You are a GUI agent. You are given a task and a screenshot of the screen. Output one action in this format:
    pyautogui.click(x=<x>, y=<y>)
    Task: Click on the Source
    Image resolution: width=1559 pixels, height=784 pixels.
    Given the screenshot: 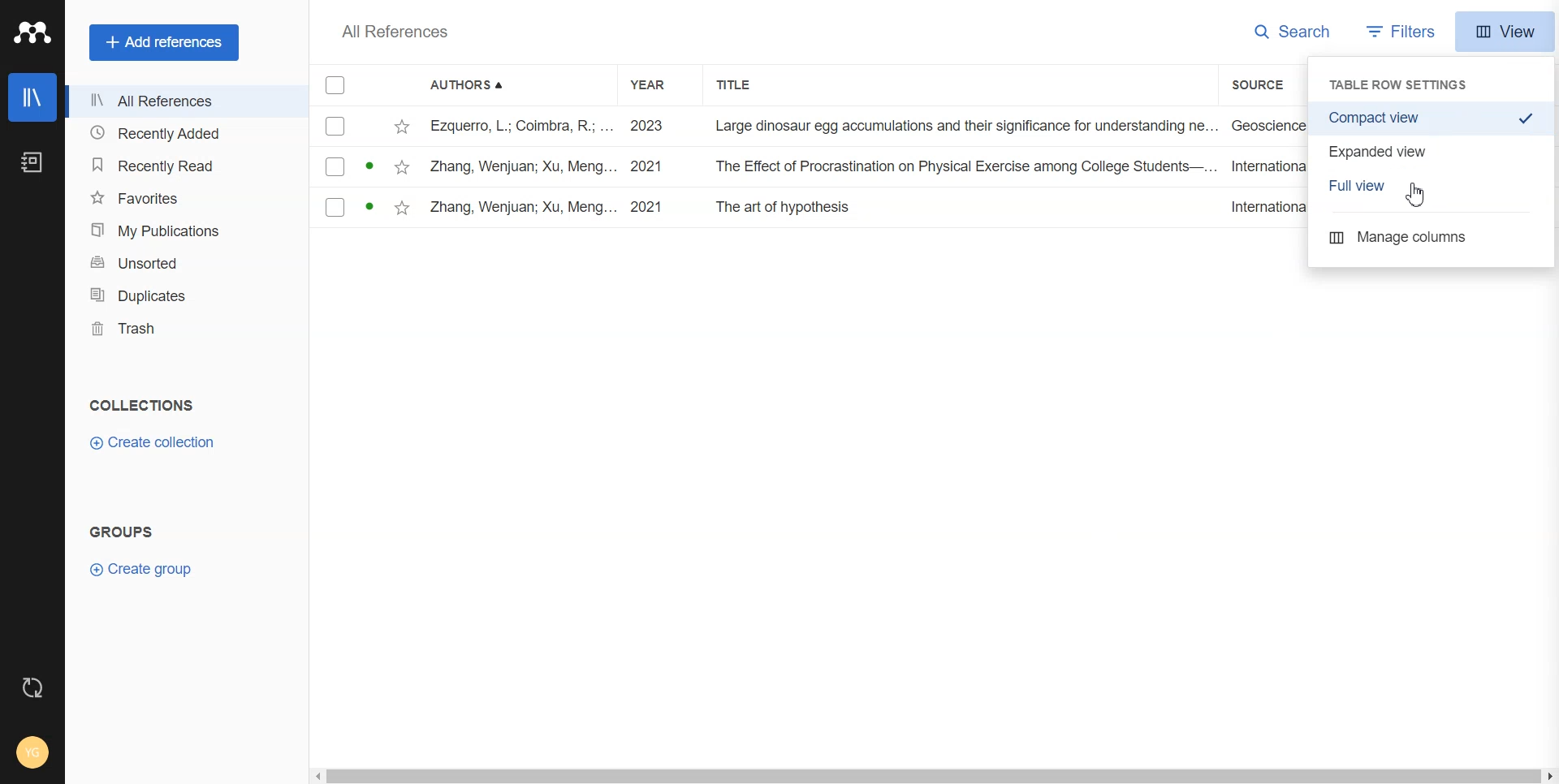 What is the action you would take?
    pyautogui.click(x=1267, y=85)
    